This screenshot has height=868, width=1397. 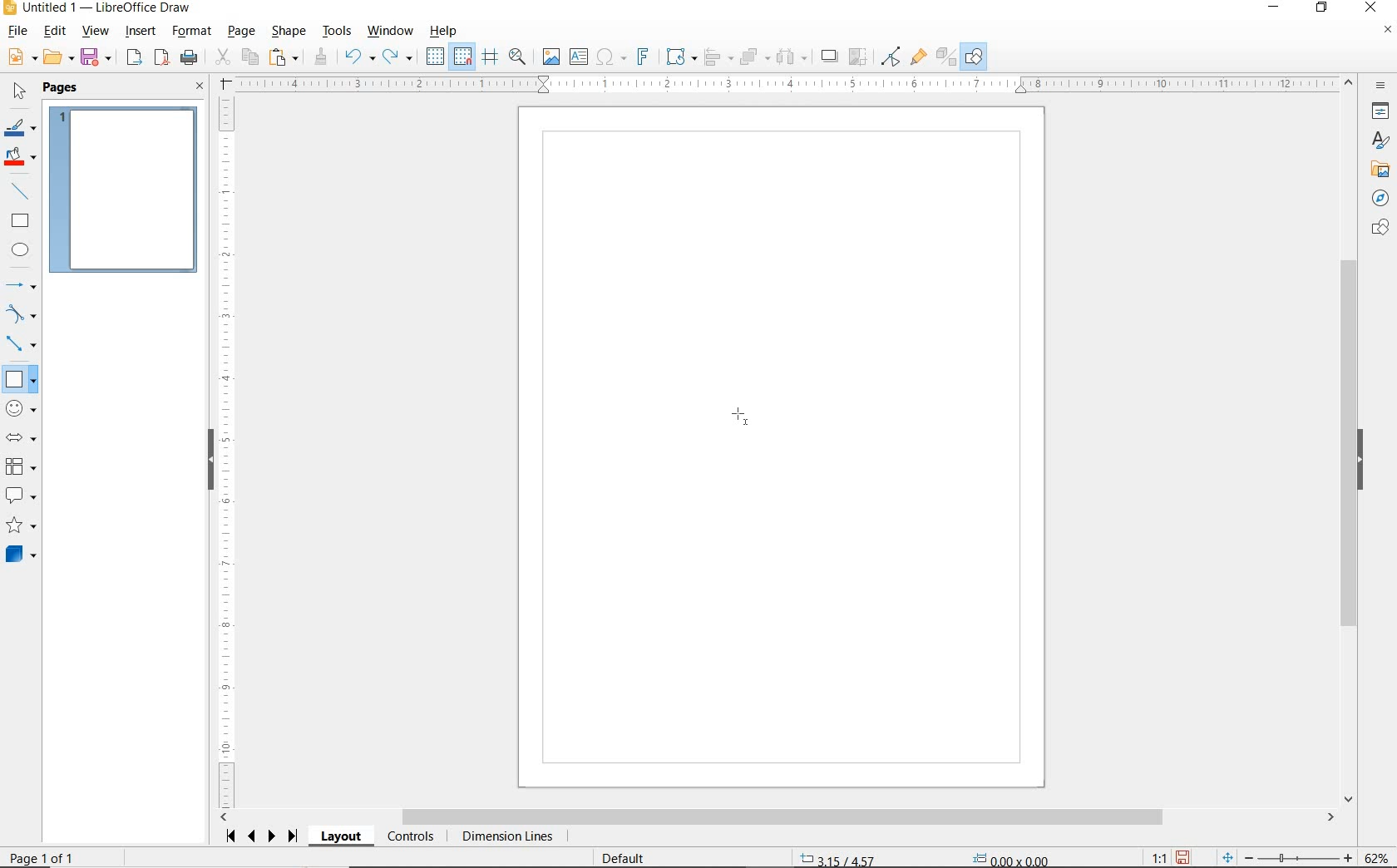 What do you see at coordinates (1360, 461) in the screenshot?
I see `HIDE` at bounding box center [1360, 461].